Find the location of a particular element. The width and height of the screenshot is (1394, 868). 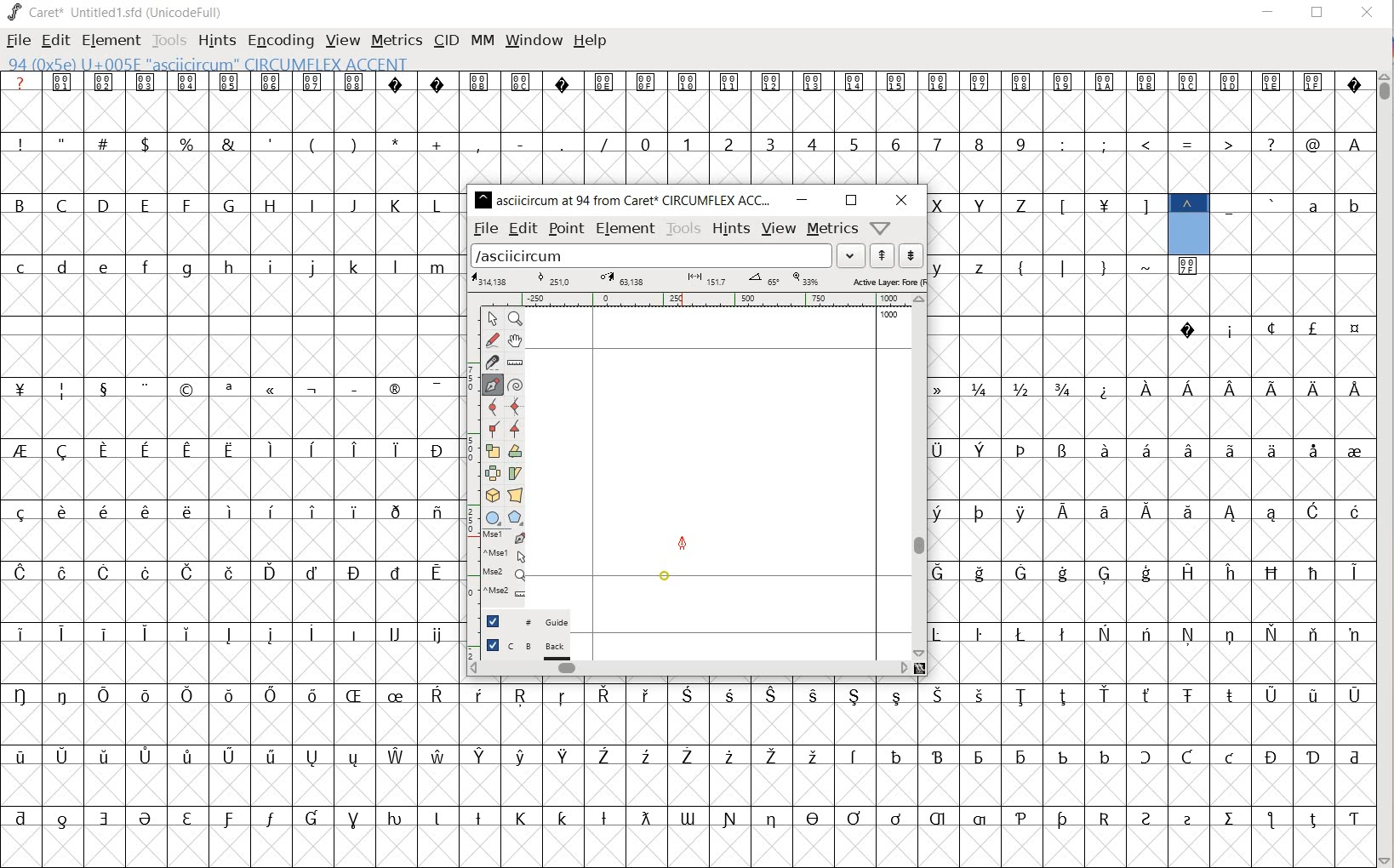

point added is located at coordinates (665, 577).